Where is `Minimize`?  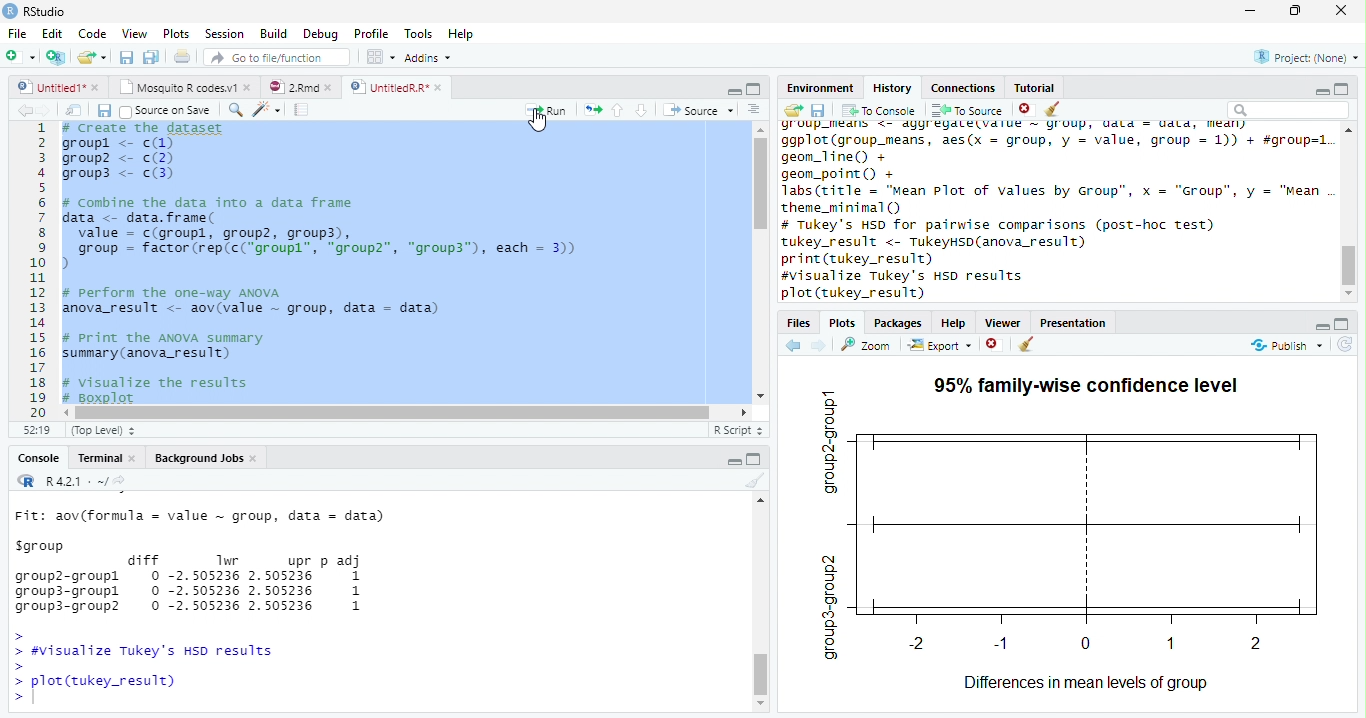 Minimize is located at coordinates (734, 463).